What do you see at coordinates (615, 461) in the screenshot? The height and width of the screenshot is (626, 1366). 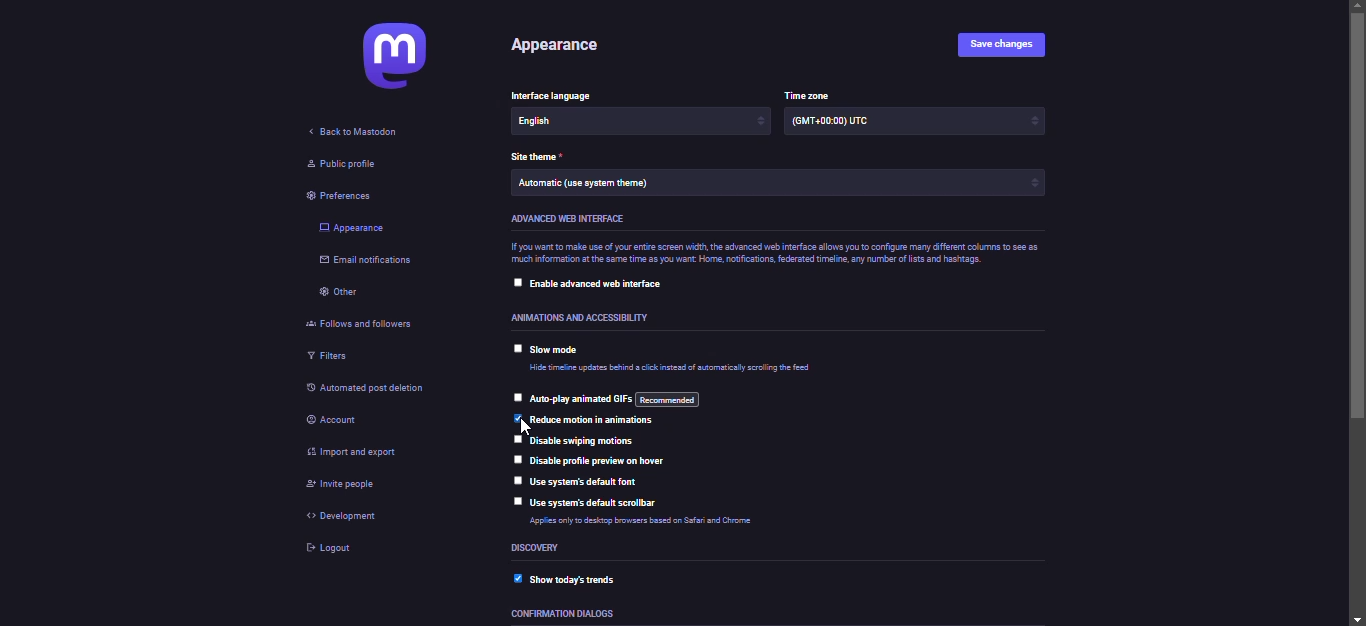 I see `disable profile preview on hover` at bounding box center [615, 461].